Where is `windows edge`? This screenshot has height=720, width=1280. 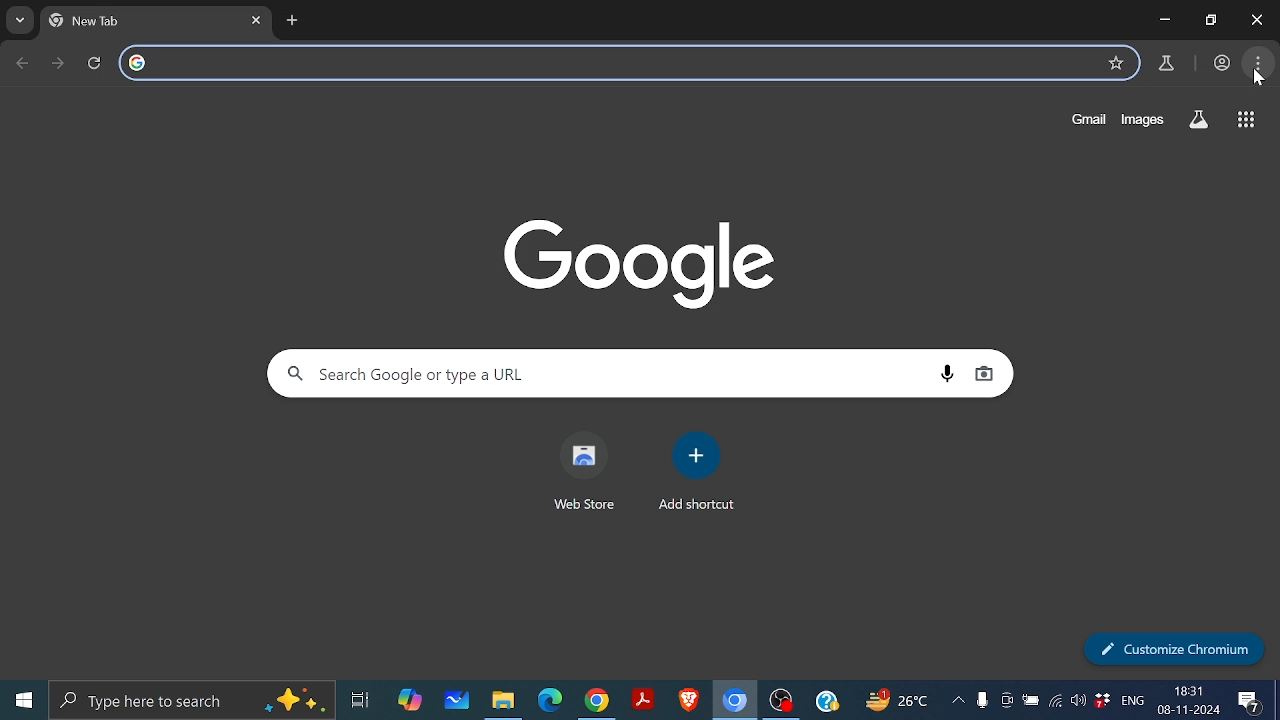
windows edge is located at coordinates (550, 701).